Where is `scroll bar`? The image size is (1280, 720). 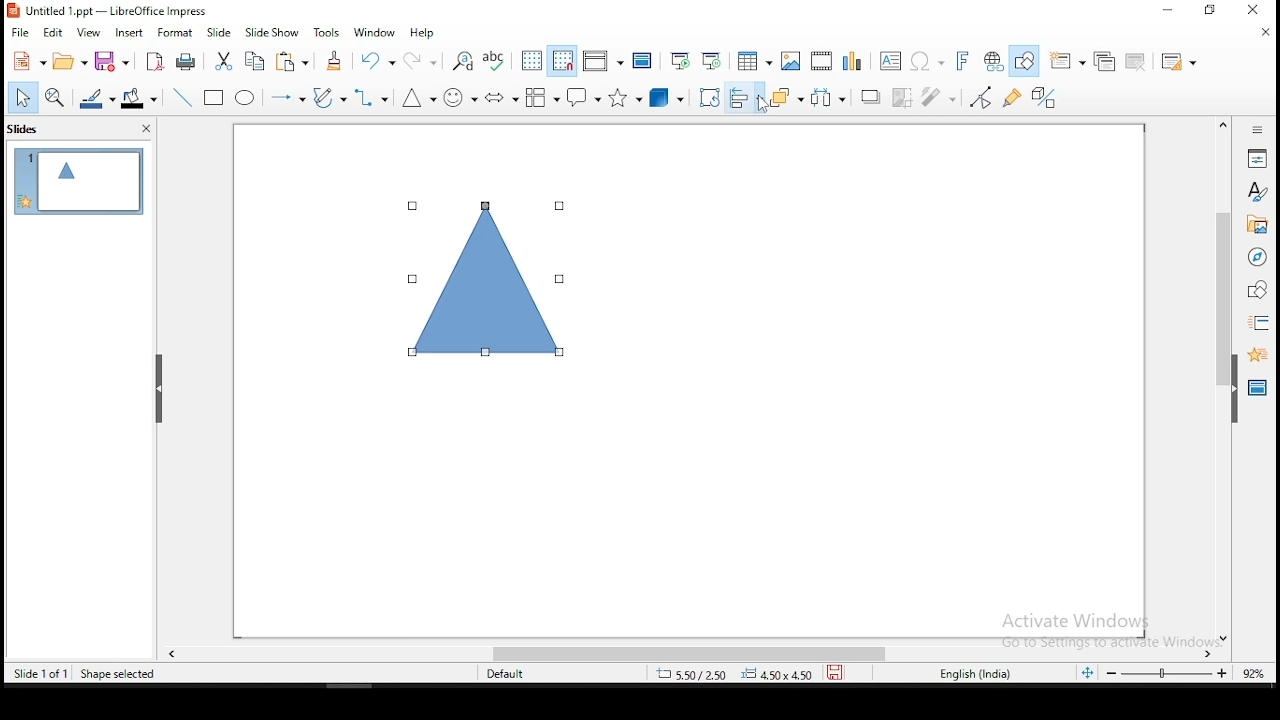 scroll bar is located at coordinates (1219, 379).